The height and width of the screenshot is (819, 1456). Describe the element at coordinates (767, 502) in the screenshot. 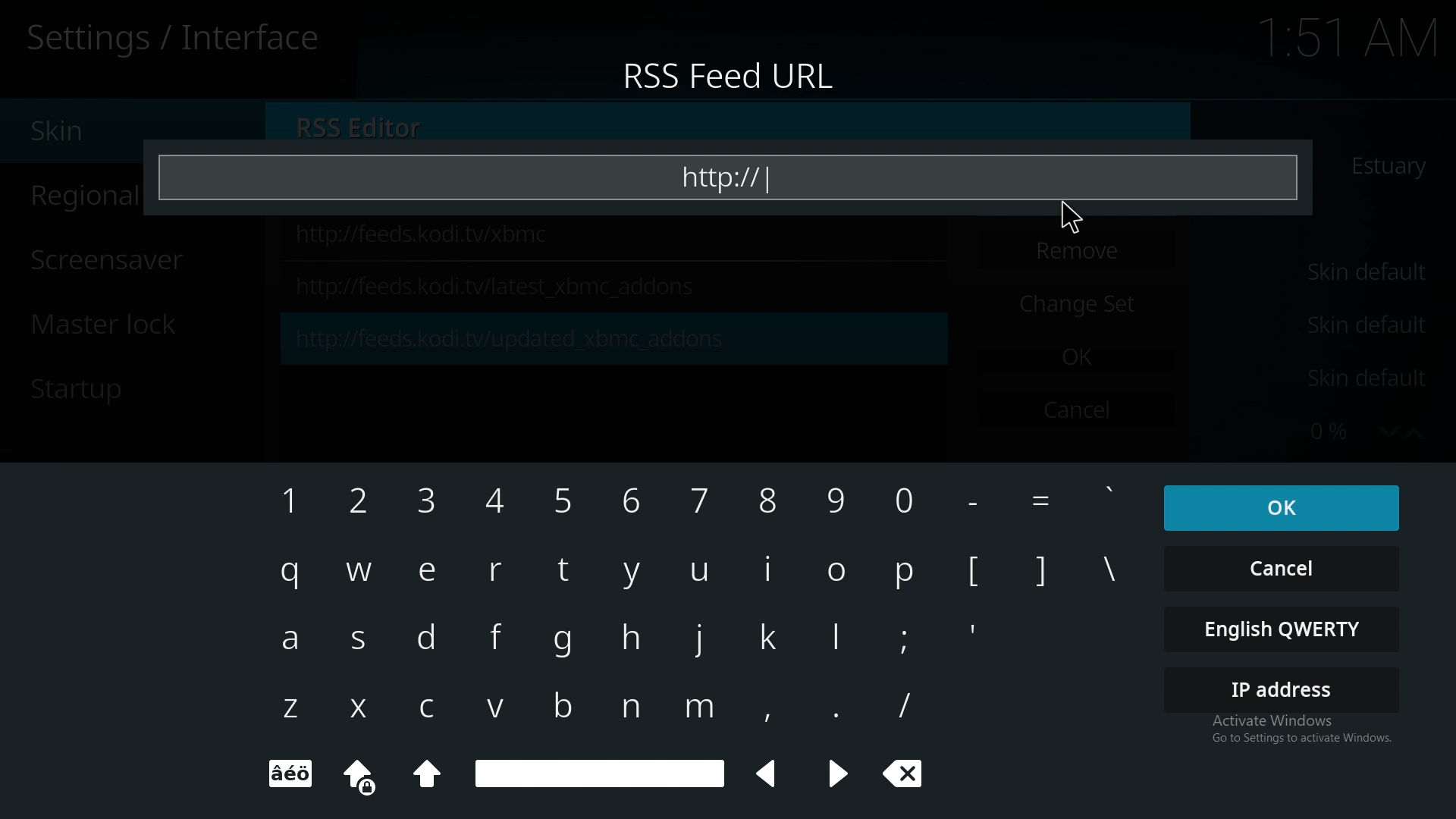

I see `keyboard Input` at that location.